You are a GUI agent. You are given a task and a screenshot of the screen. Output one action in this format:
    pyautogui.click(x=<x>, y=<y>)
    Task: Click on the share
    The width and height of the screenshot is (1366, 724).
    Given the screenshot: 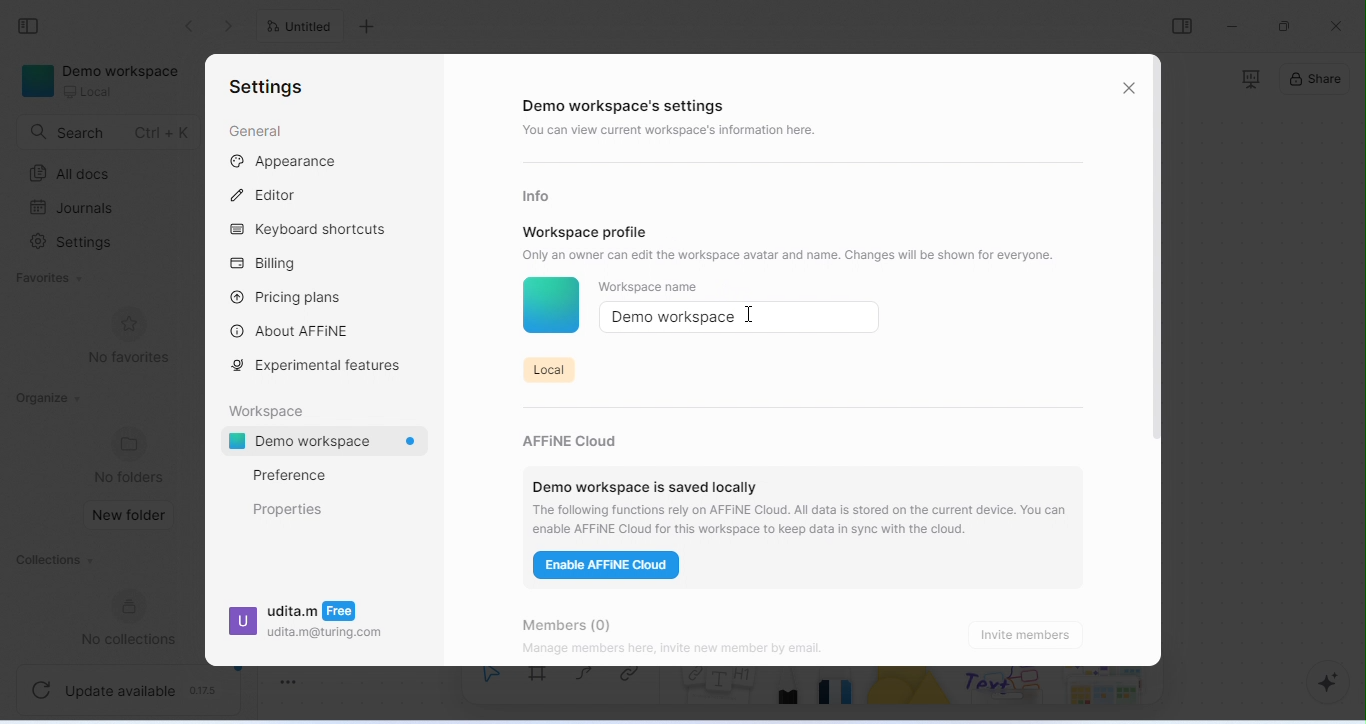 What is the action you would take?
    pyautogui.click(x=1316, y=81)
    